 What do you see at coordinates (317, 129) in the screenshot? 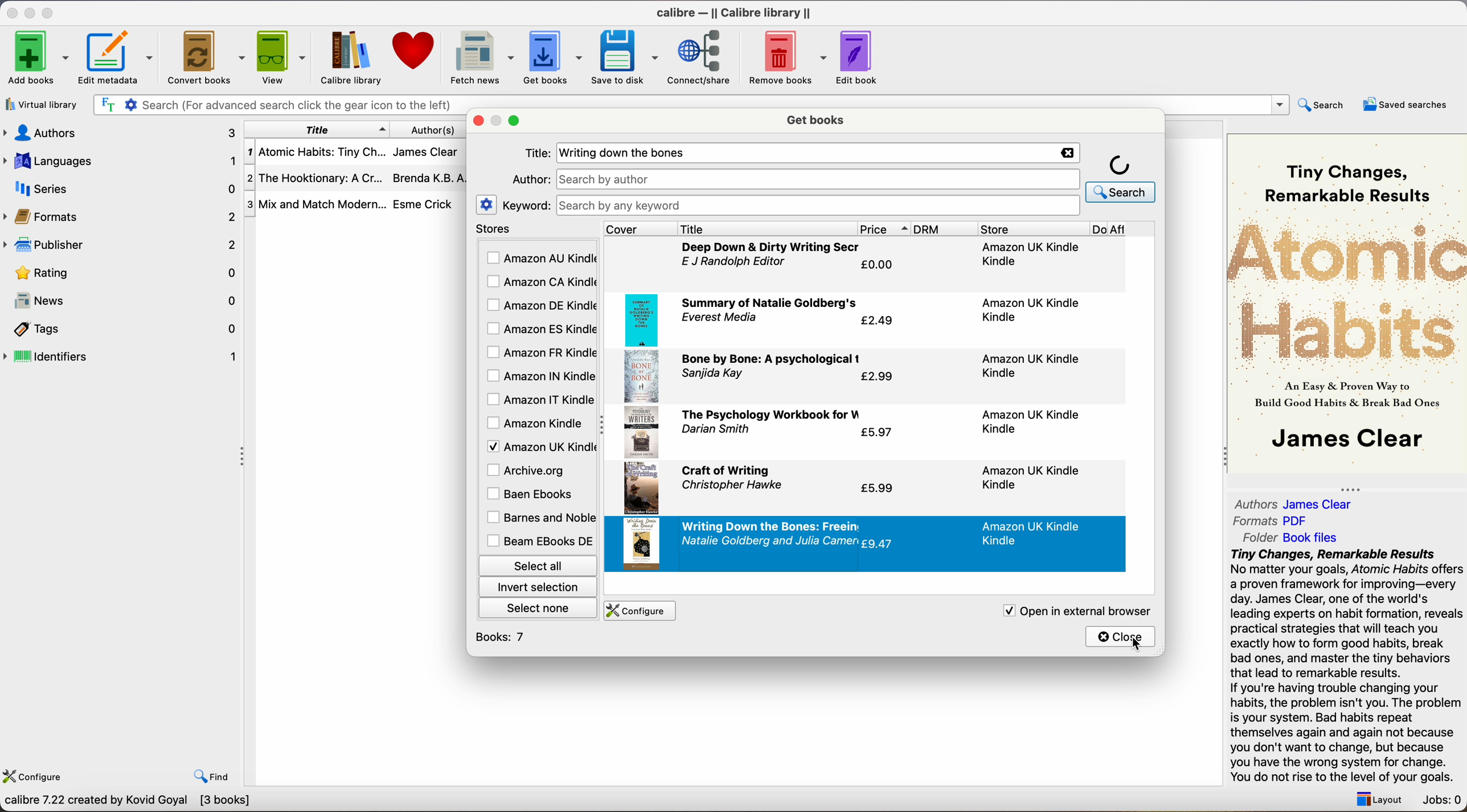
I see `title` at bounding box center [317, 129].